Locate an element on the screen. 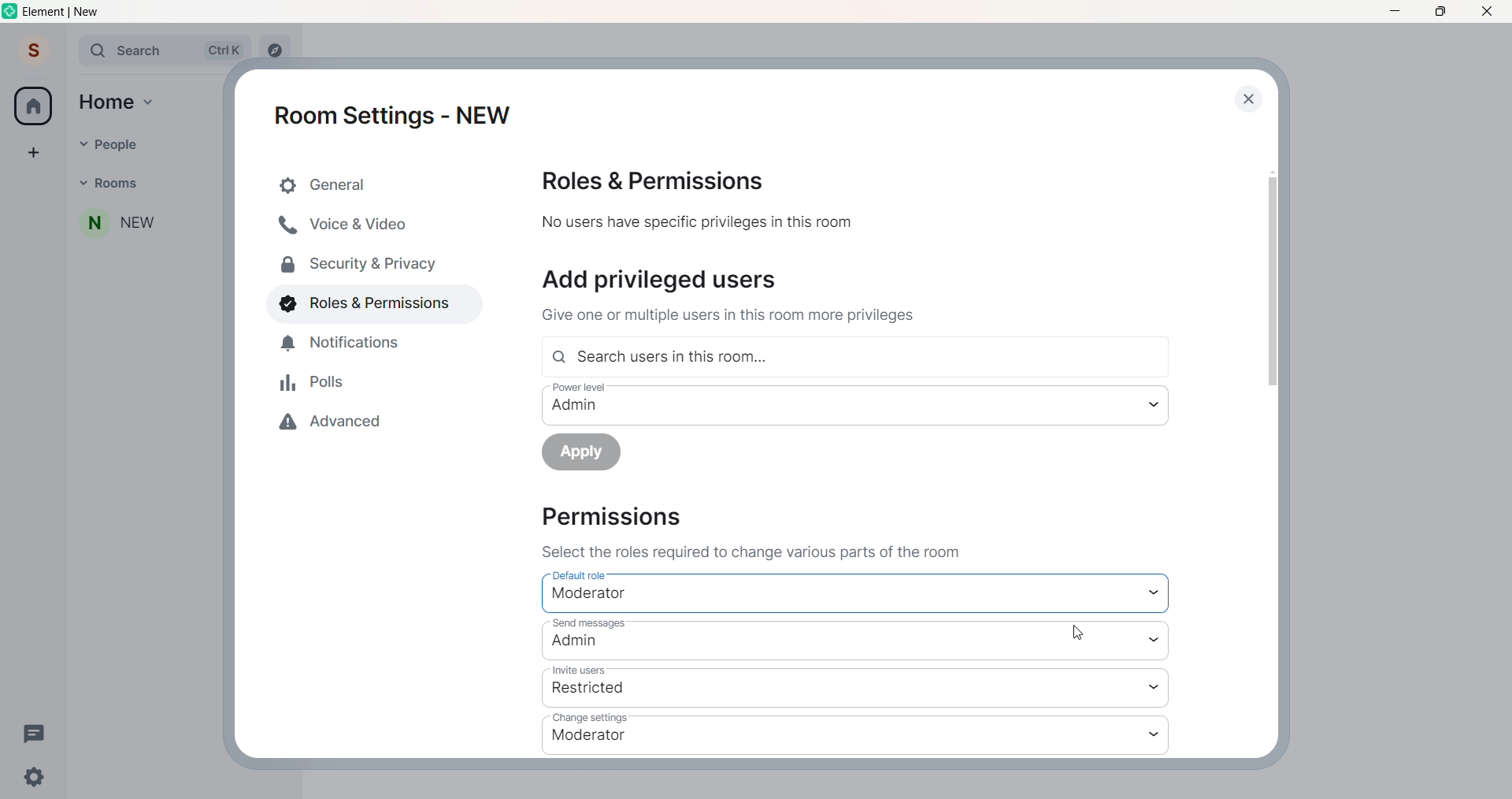 The height and width of the screenshot is (799, 1512). instruction is located at coordinates (750, 552).